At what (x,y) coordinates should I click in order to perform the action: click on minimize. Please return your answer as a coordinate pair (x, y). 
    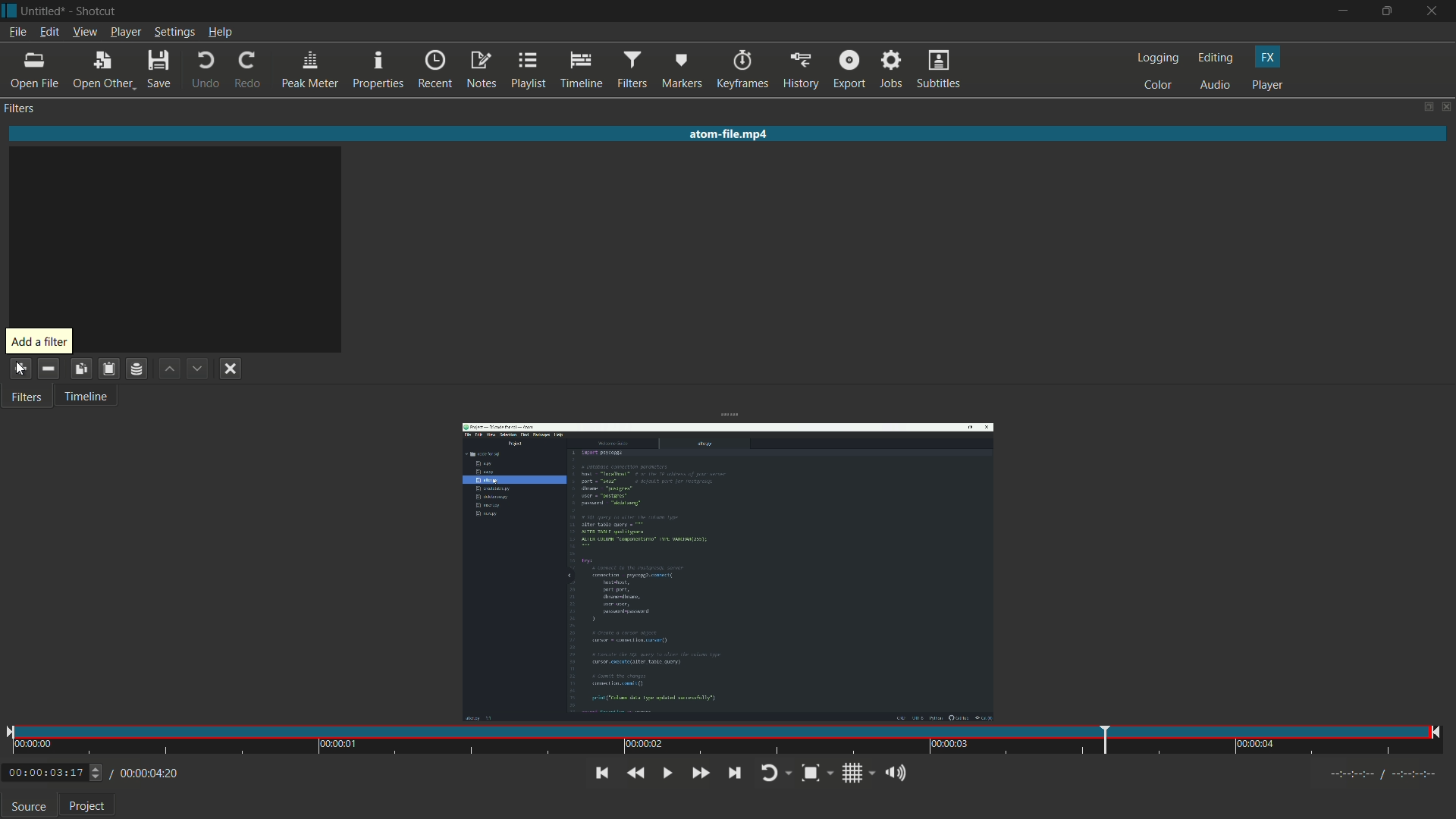
    Looking at the image, I should click on (1344, 11).